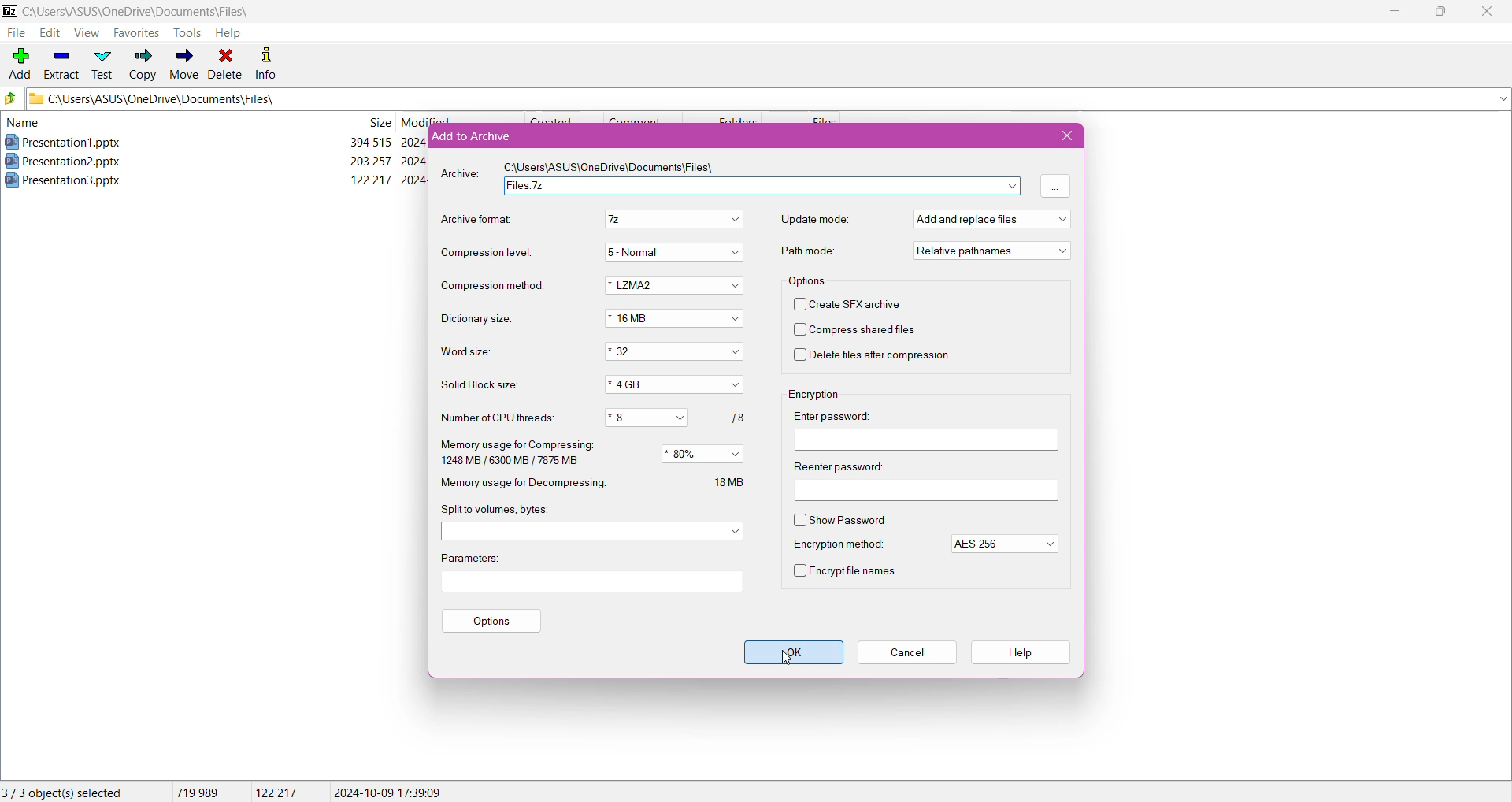 This screenshot has height=802, width=1512. What do you see at coordinates (103, 64) in the screenshot?
I see `Test` at bounding box center [103, 64].